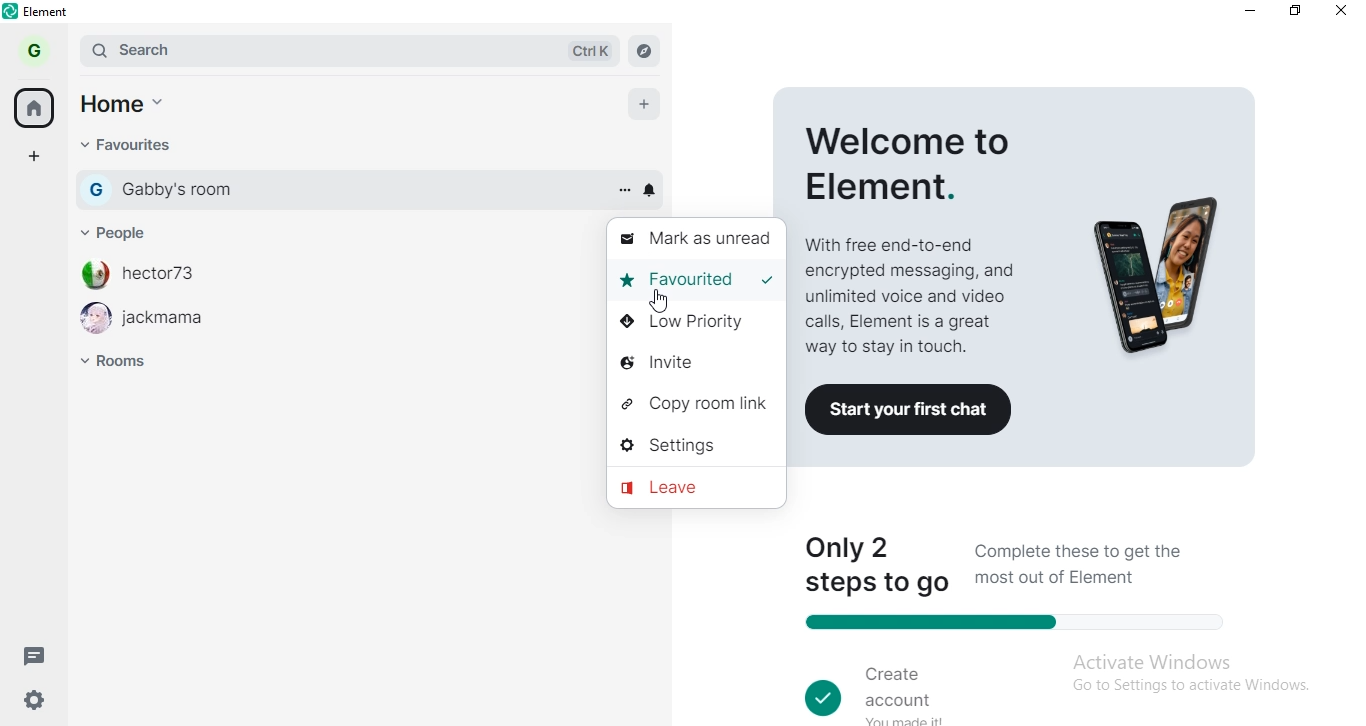 Image resolution: width=1366 pixels, height=726 pixels. Describe the element at coordinates (621, 190) in the screenshot. I see `options` at that location.